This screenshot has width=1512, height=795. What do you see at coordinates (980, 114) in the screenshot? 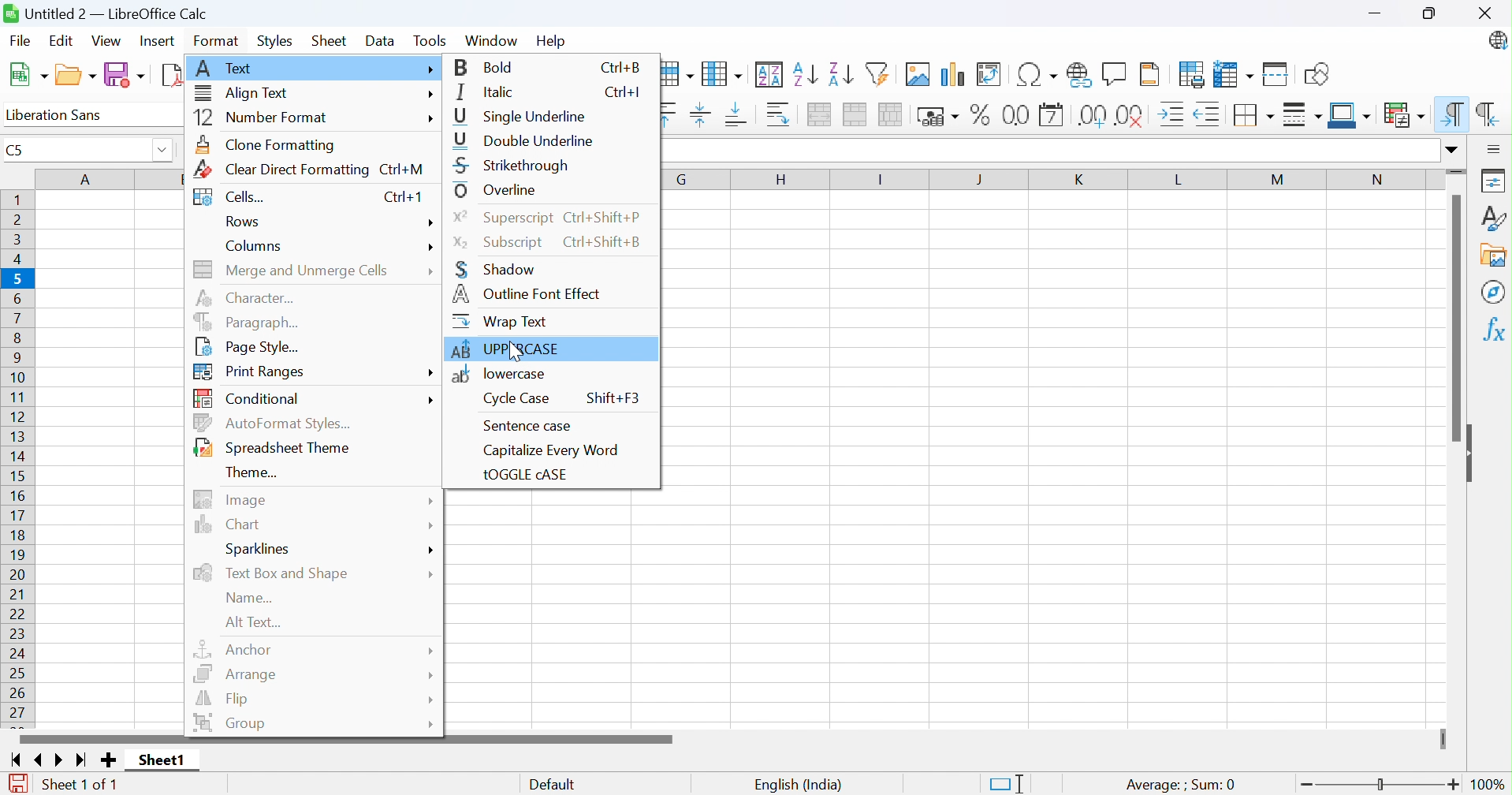
I see `Format as percent` at bounding box center [980, 114].